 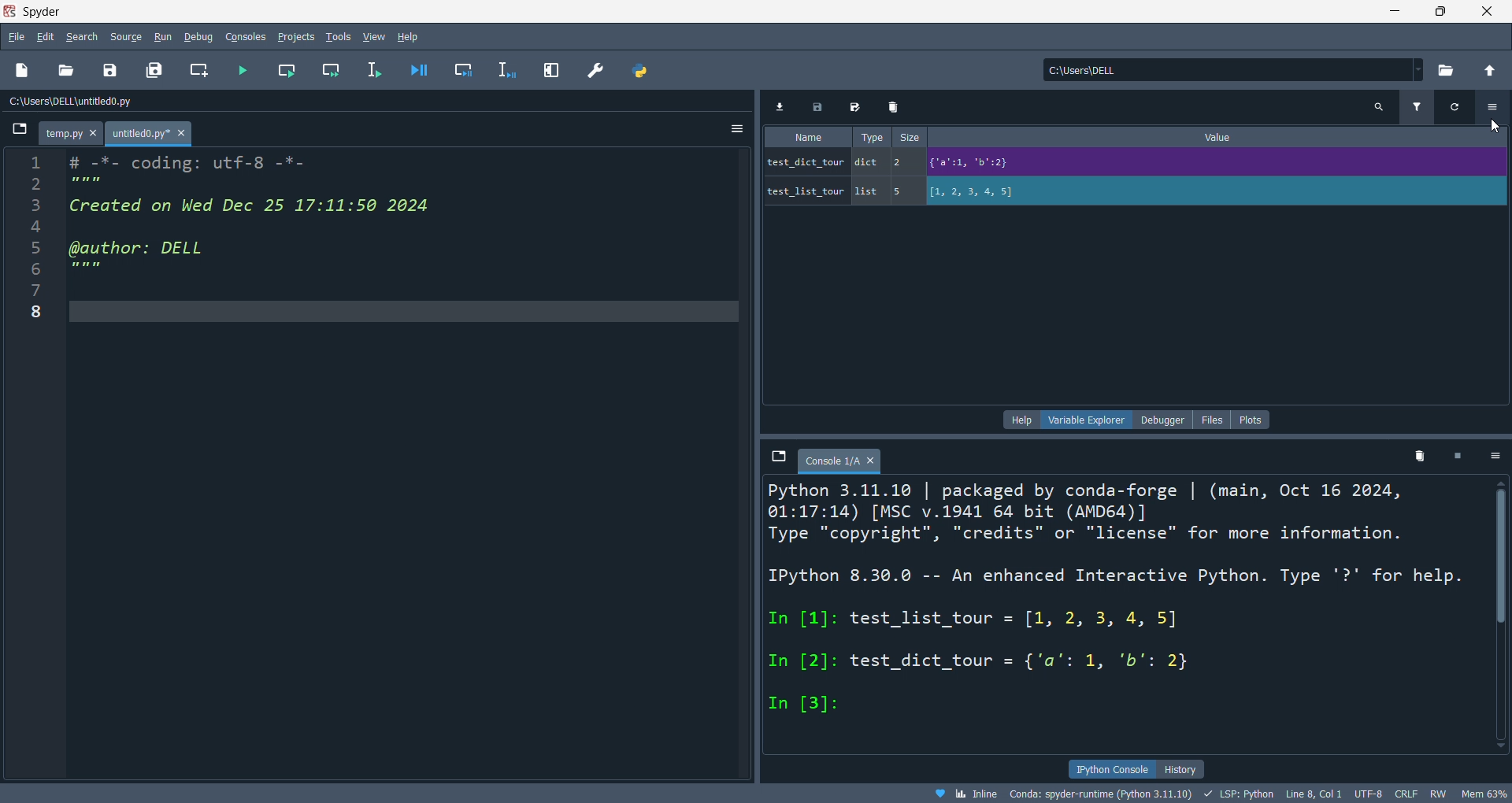 I want to click on options, so click(x=1494, y=455).